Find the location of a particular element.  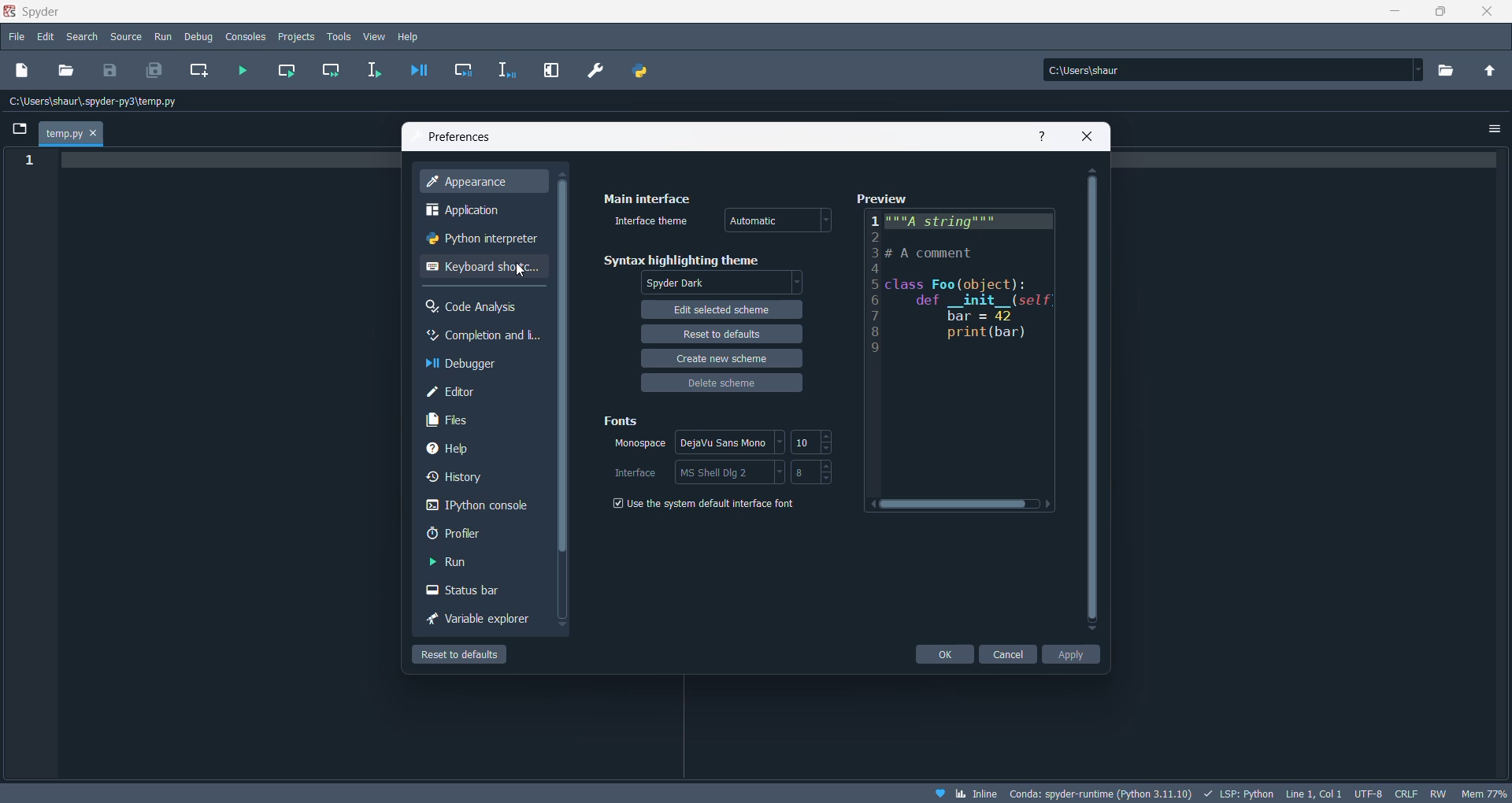

run current cell and go to next one is located at coordinates (333, 71).